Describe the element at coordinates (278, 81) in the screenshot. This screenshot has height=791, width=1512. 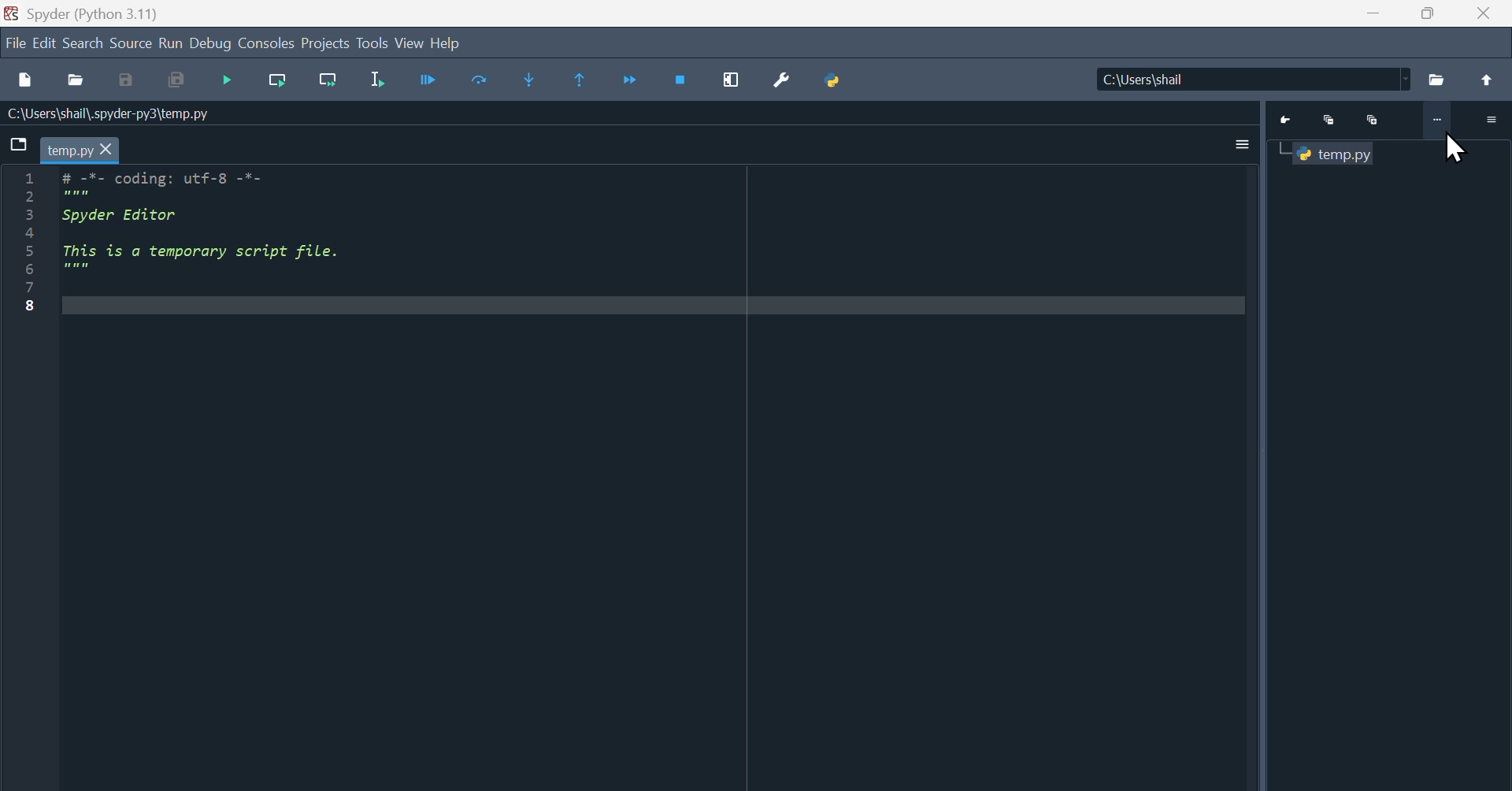
I see `Run current cell` at that location.